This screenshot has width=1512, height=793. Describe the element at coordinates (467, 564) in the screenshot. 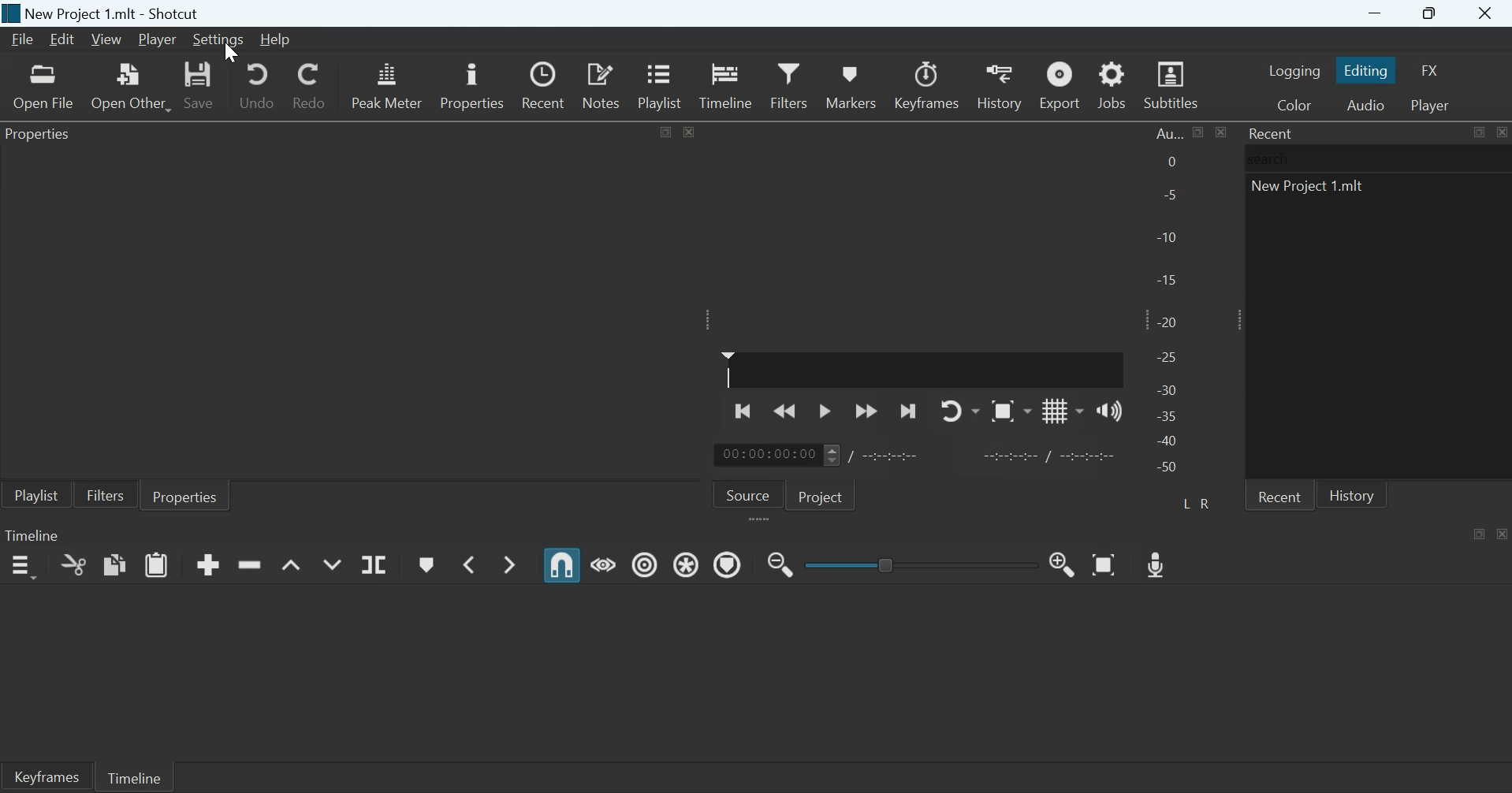

I see `Previous marker` at that location.